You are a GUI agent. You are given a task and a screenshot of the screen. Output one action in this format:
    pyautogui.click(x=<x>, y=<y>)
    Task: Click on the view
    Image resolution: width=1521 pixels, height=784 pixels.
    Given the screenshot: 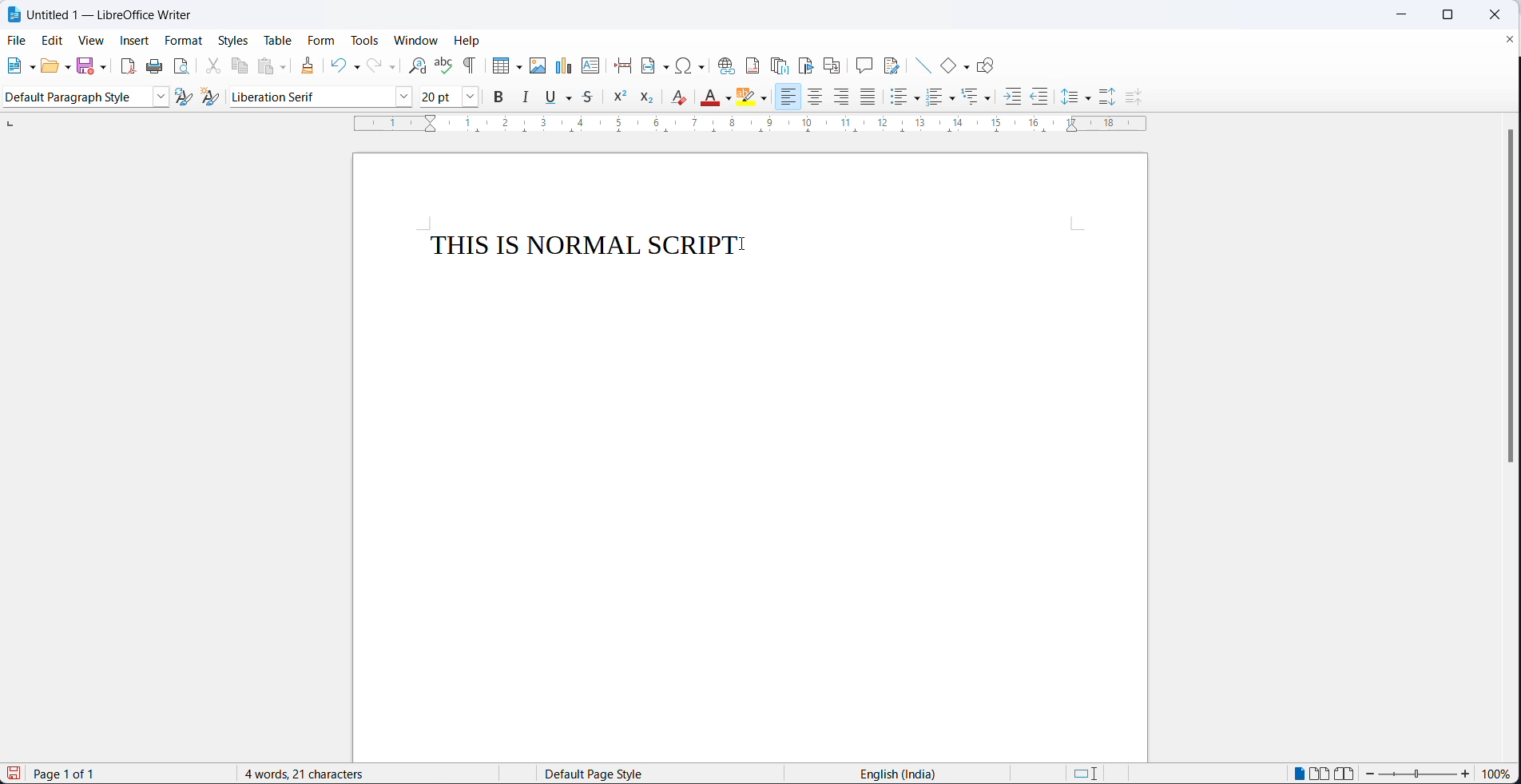 What is the action you would take?
    pyautogui.click(x=85, y=42)
    